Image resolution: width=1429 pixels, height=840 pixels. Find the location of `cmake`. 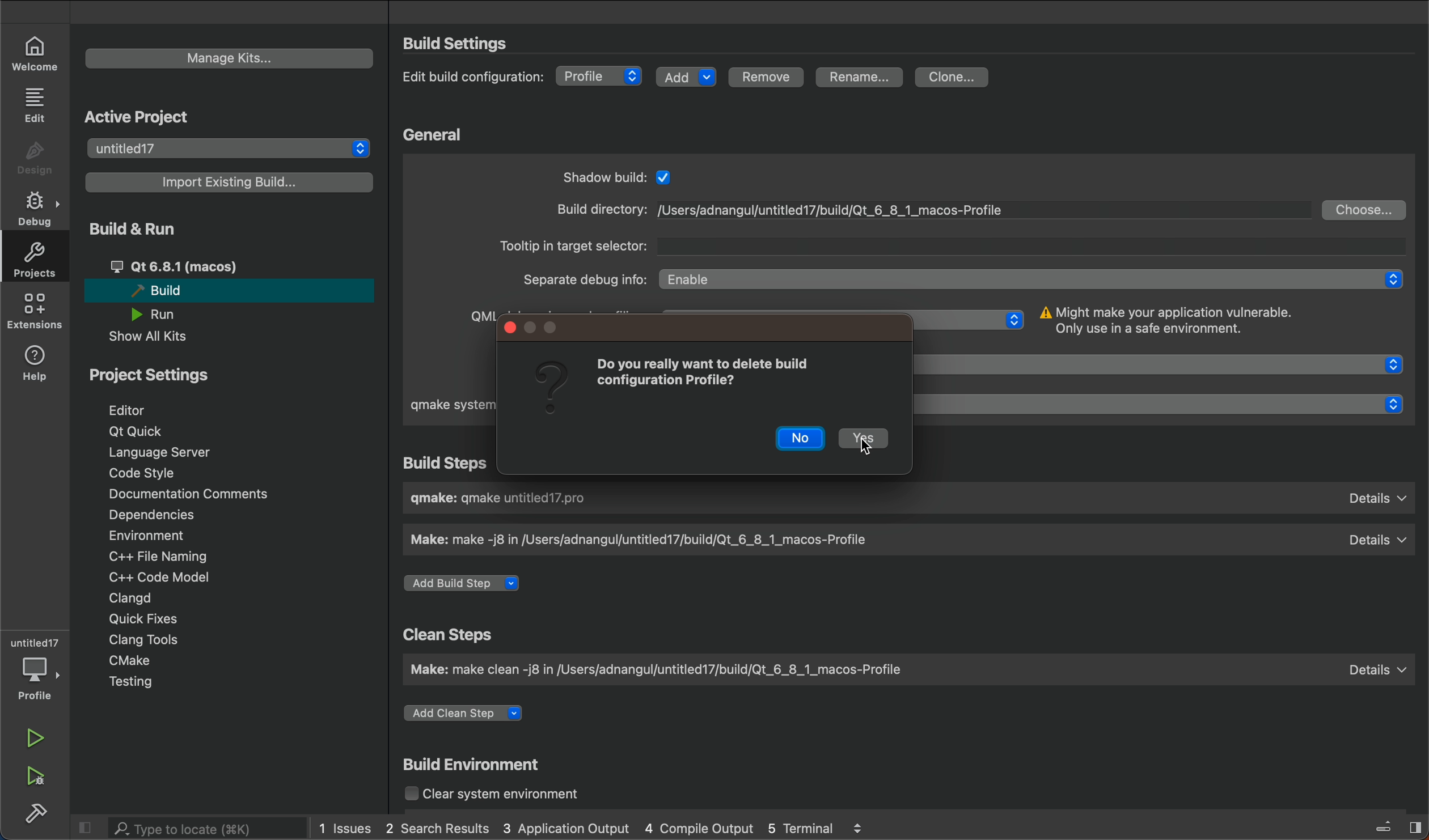

cmake is located at coordinates (147, 662).